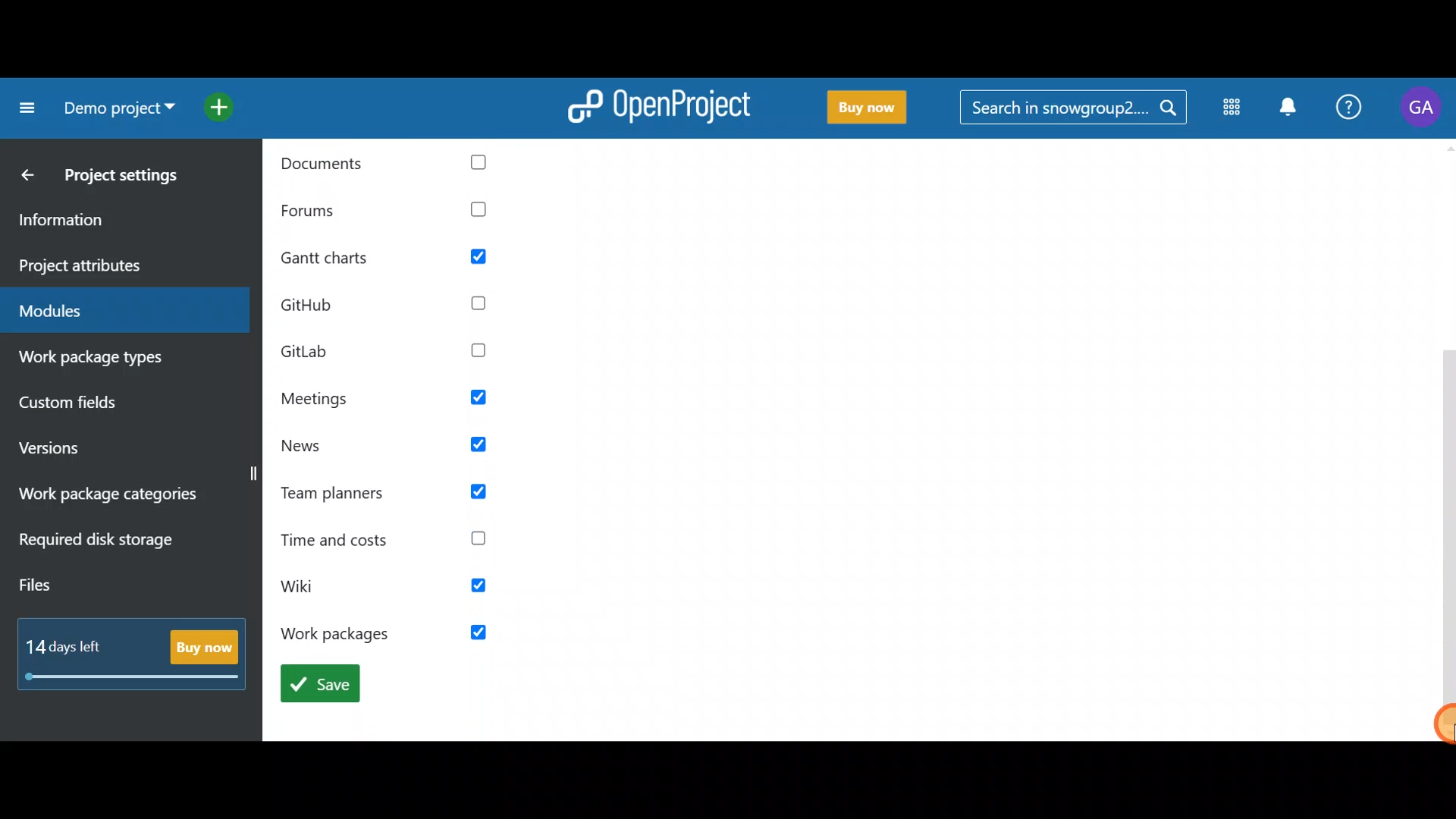 The image size is (1456, 819). What do you see at coordinates (390, 633) in the screenshot?
I see `work packages` at bounding box center [390, 633].